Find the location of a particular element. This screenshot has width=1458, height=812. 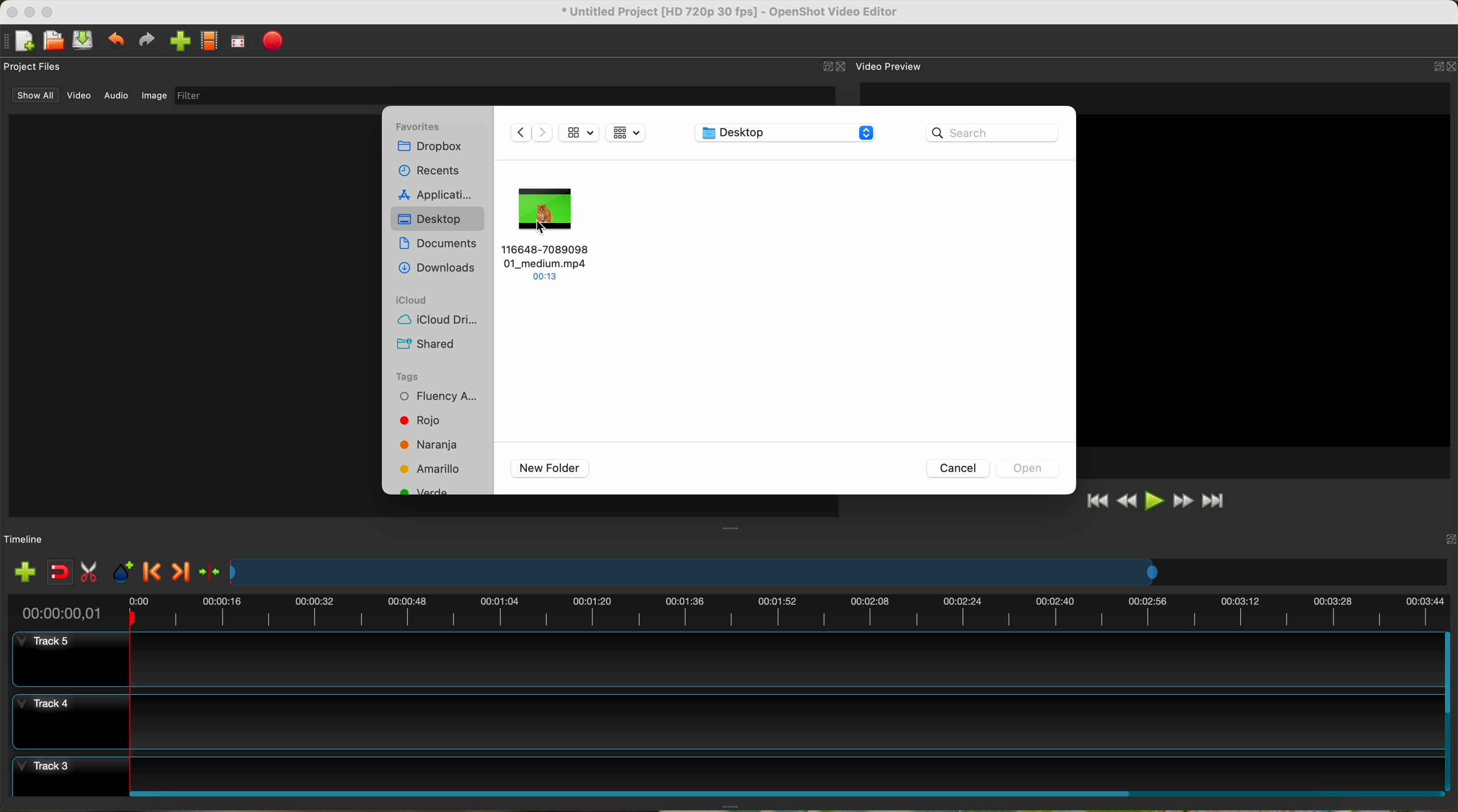

filter is located at coordinates (504, 95).